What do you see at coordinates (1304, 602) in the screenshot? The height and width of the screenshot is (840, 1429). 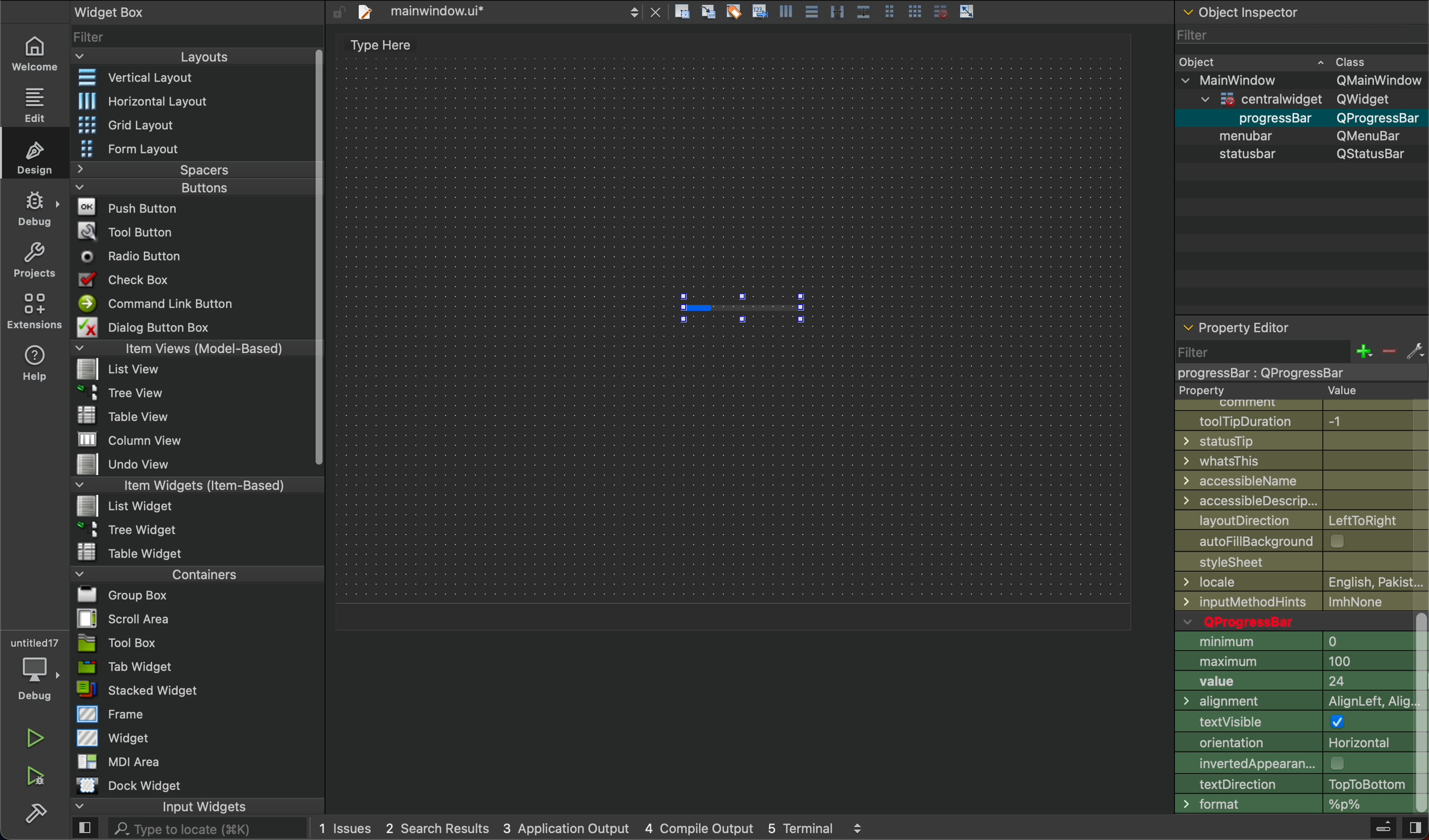 I see `local` at bounding box center [1304, 602].